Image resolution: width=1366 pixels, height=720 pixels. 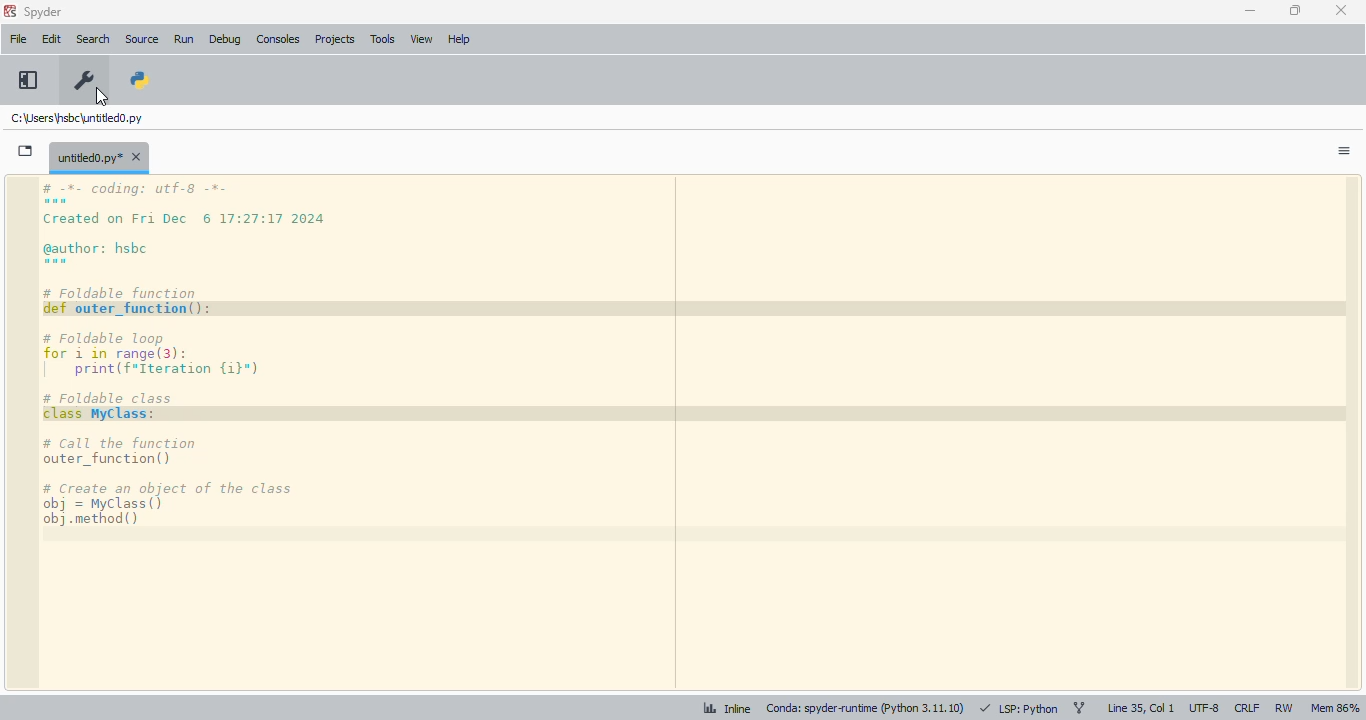 I want to click on options, so click(x=1345, y=151).